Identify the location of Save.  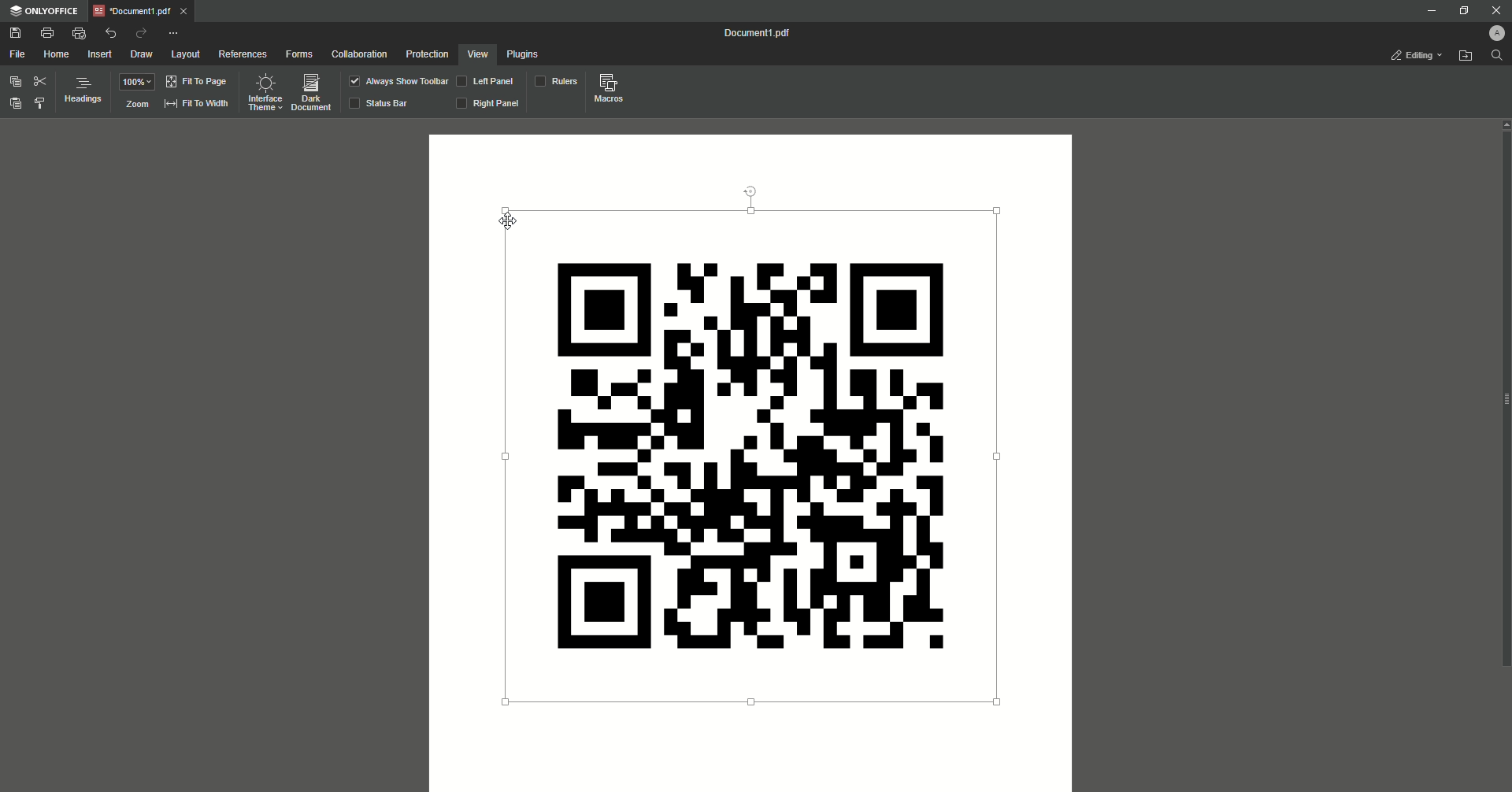
(16, 33).